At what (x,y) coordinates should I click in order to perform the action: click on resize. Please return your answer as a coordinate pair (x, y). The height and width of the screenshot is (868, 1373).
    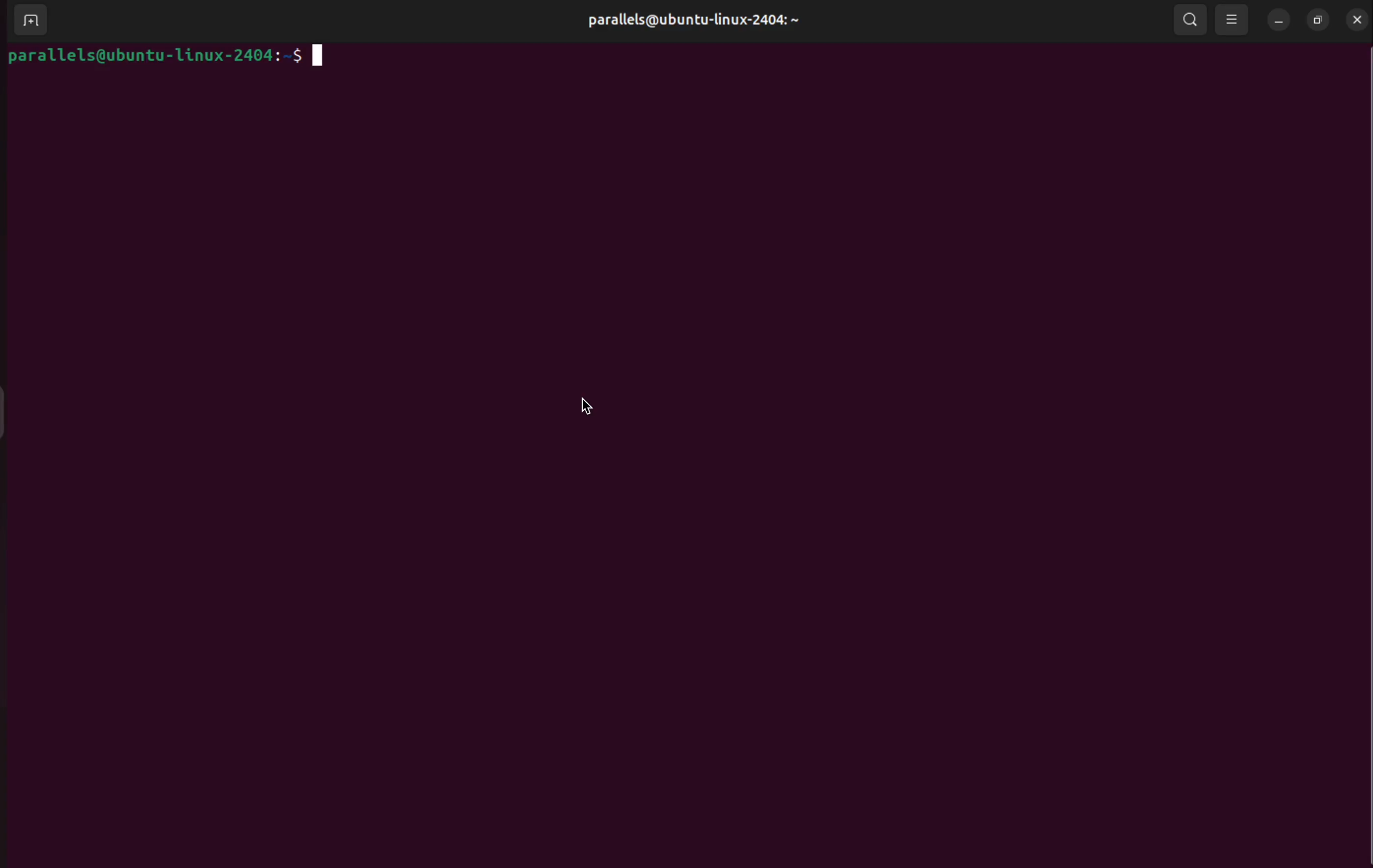
    Looking at the image, I should click on (1317, 21).